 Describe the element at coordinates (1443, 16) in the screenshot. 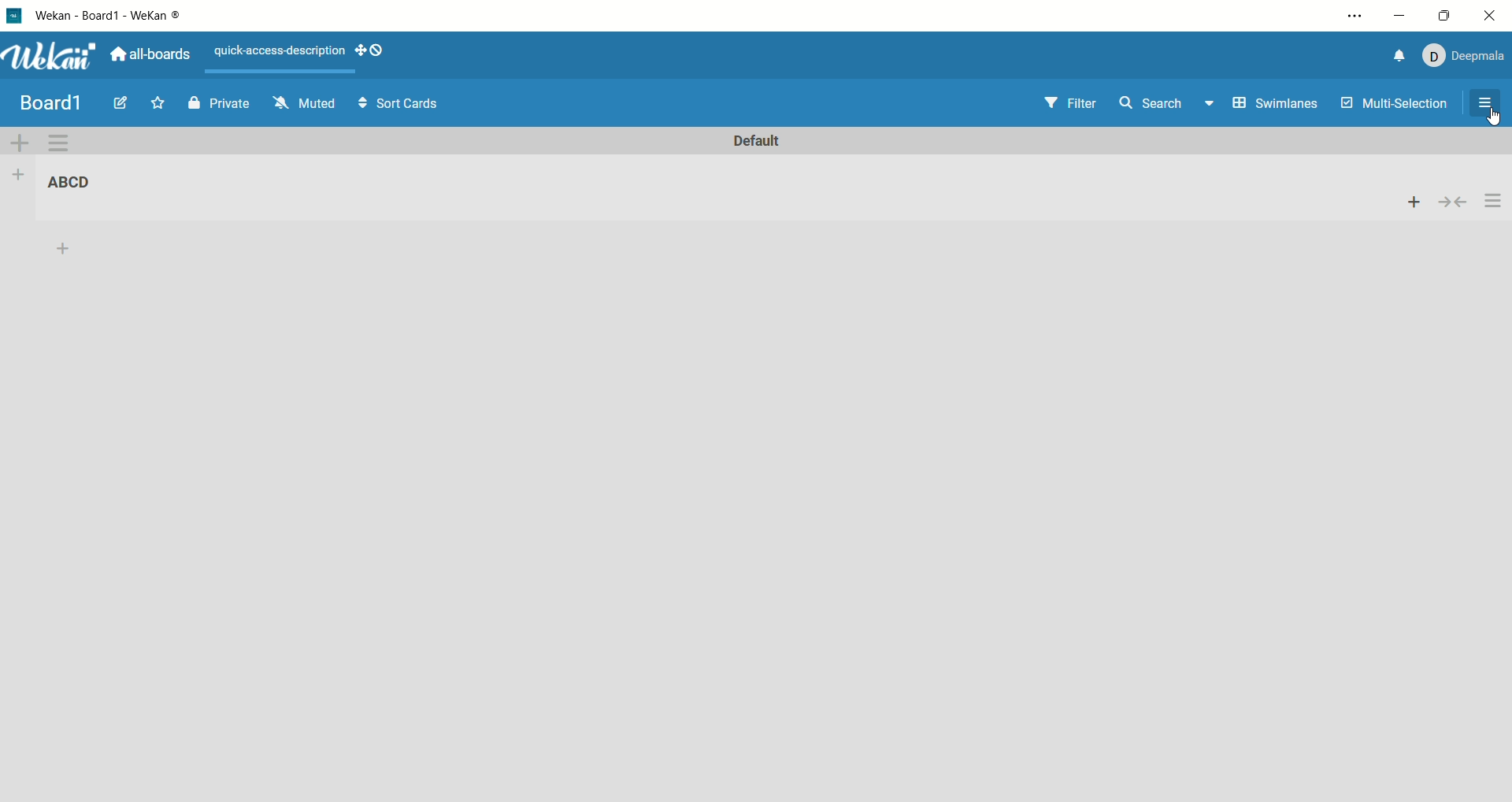

I see `maximize` at that location.